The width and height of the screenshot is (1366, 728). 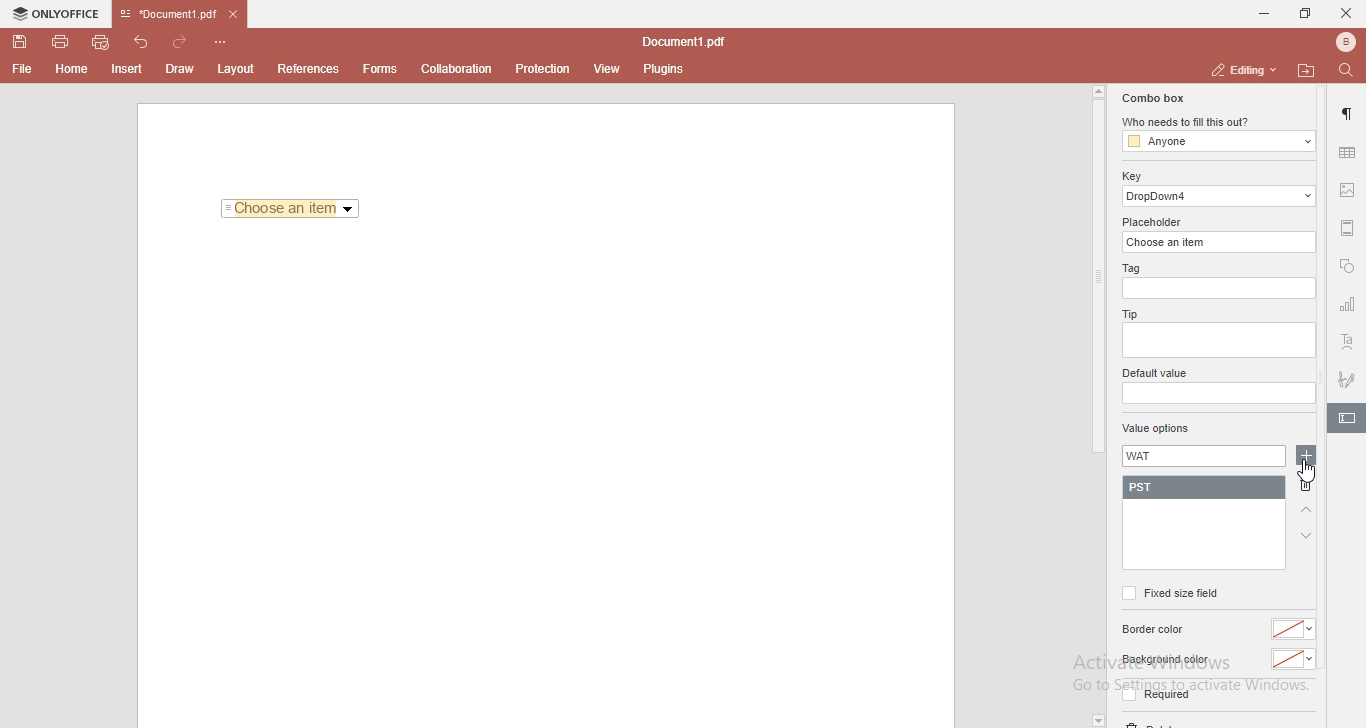 What do you see at coordinates (184, 38) in the screenshot?
I see `redo` at bounding box center [184, 38].